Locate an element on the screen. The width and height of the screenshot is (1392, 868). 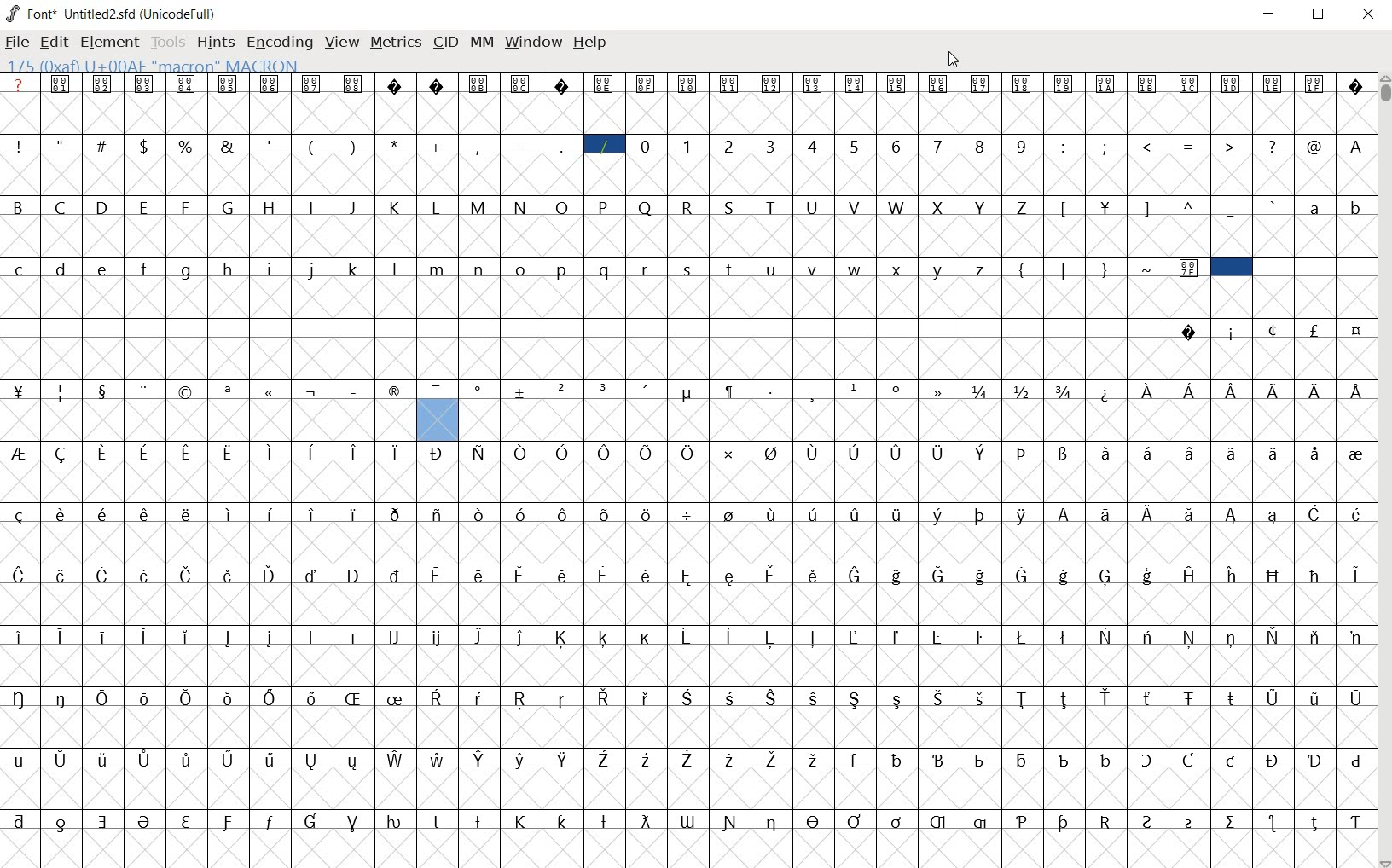
` is located at coordinates (1273, 205).